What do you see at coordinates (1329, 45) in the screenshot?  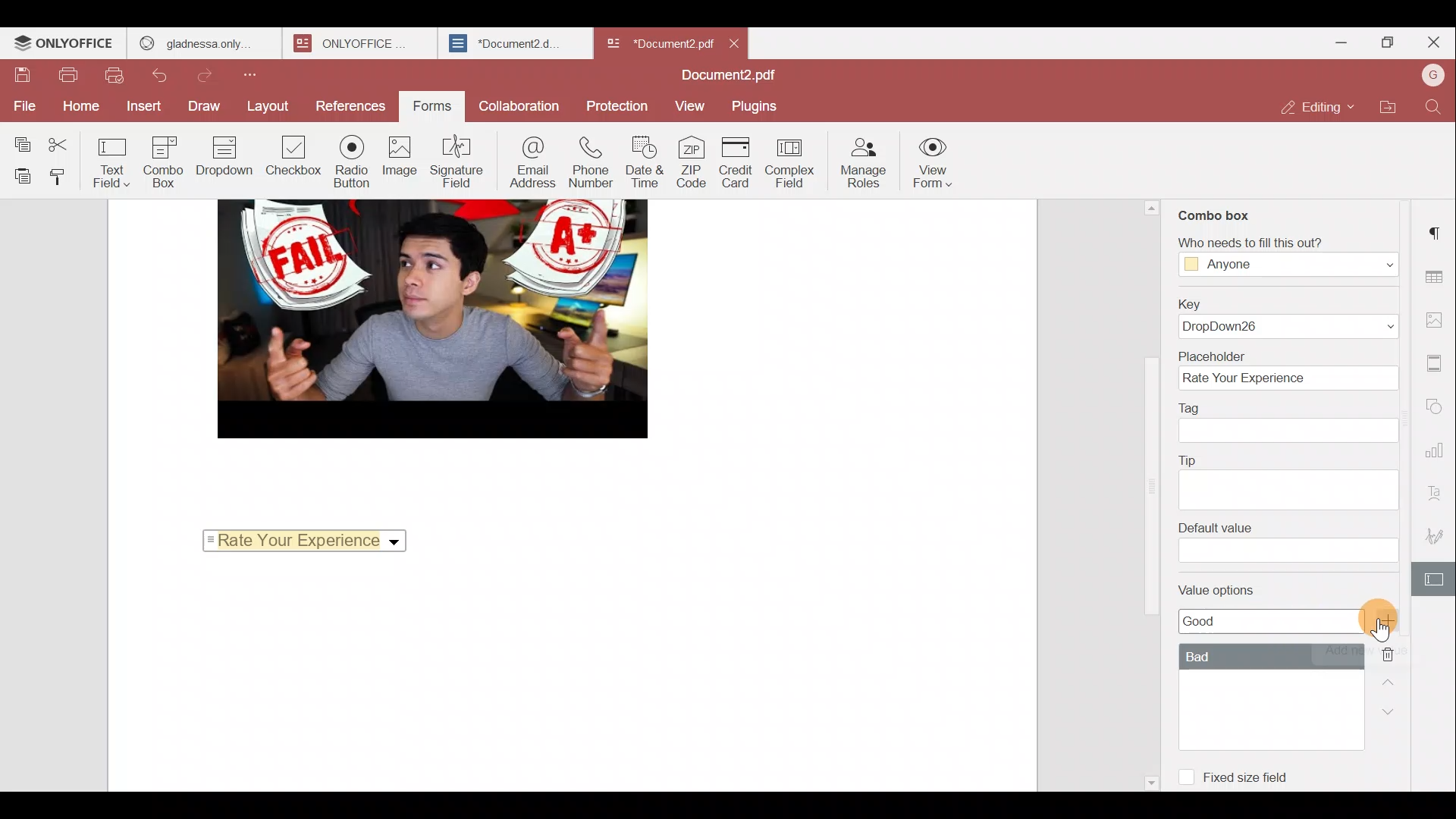 I see `Minimize` at bounding box center [1329, 45].